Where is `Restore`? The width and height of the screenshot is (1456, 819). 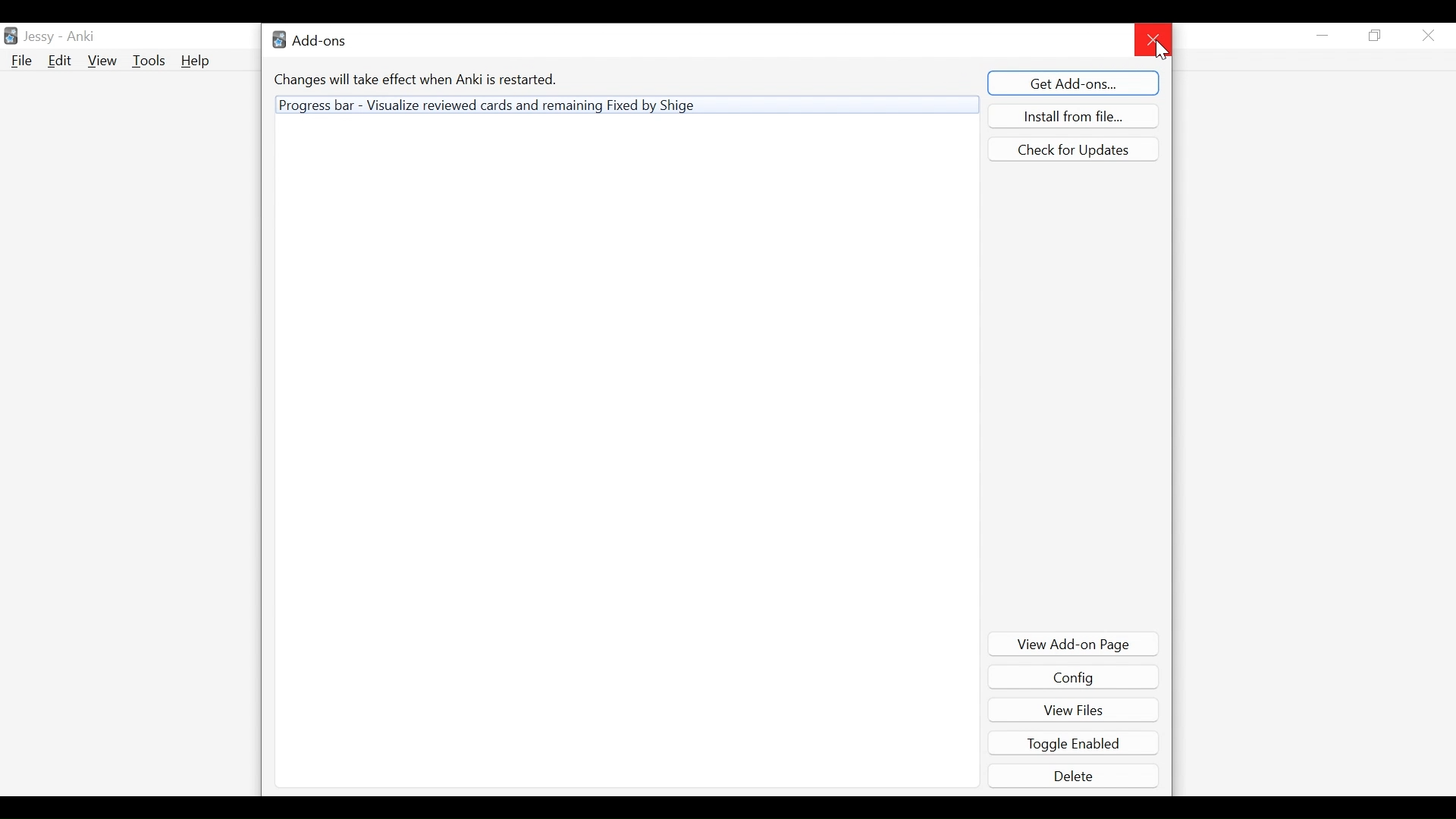 Restore is located at coordinates (1375, 36).